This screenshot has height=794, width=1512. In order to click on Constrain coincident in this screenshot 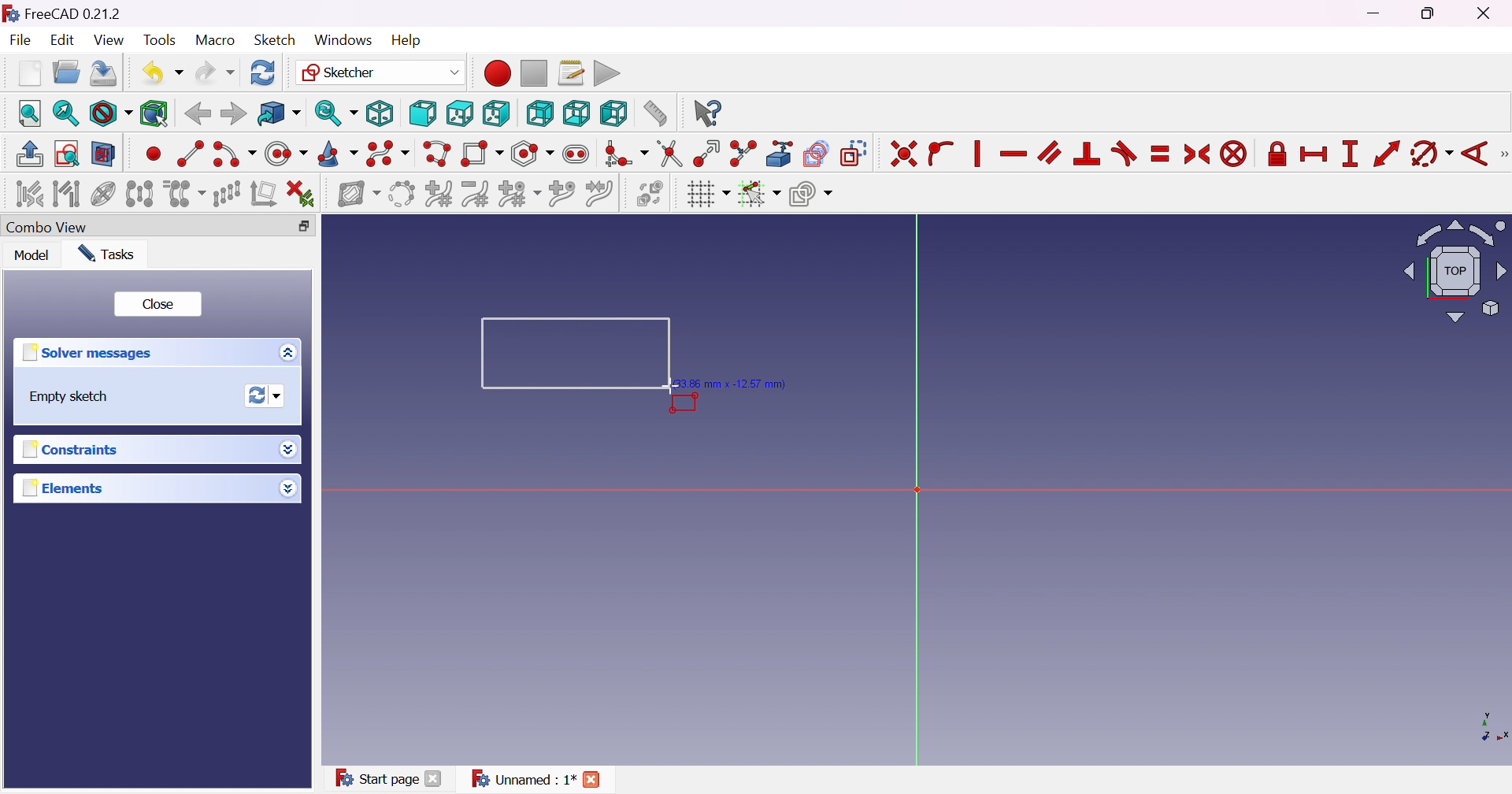, I will do `click(902, 154)`.